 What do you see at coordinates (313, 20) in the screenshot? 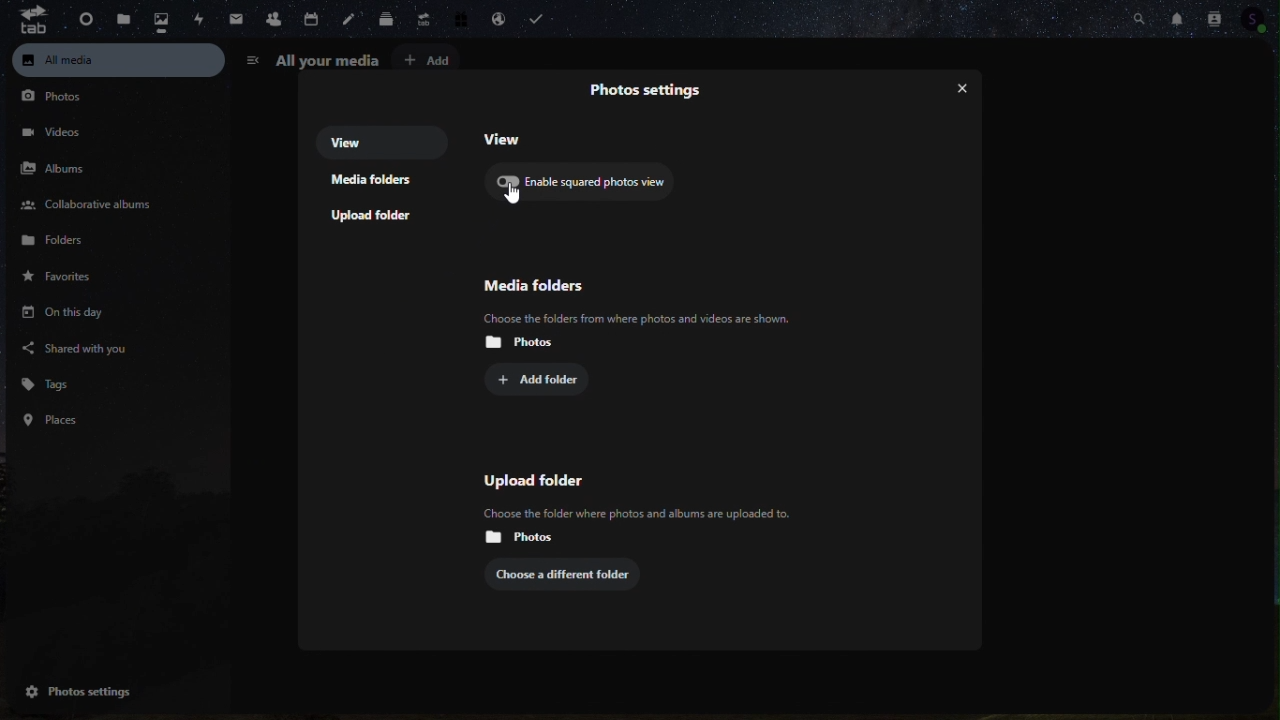
I see `calendar` at bounding box center [313, 20].